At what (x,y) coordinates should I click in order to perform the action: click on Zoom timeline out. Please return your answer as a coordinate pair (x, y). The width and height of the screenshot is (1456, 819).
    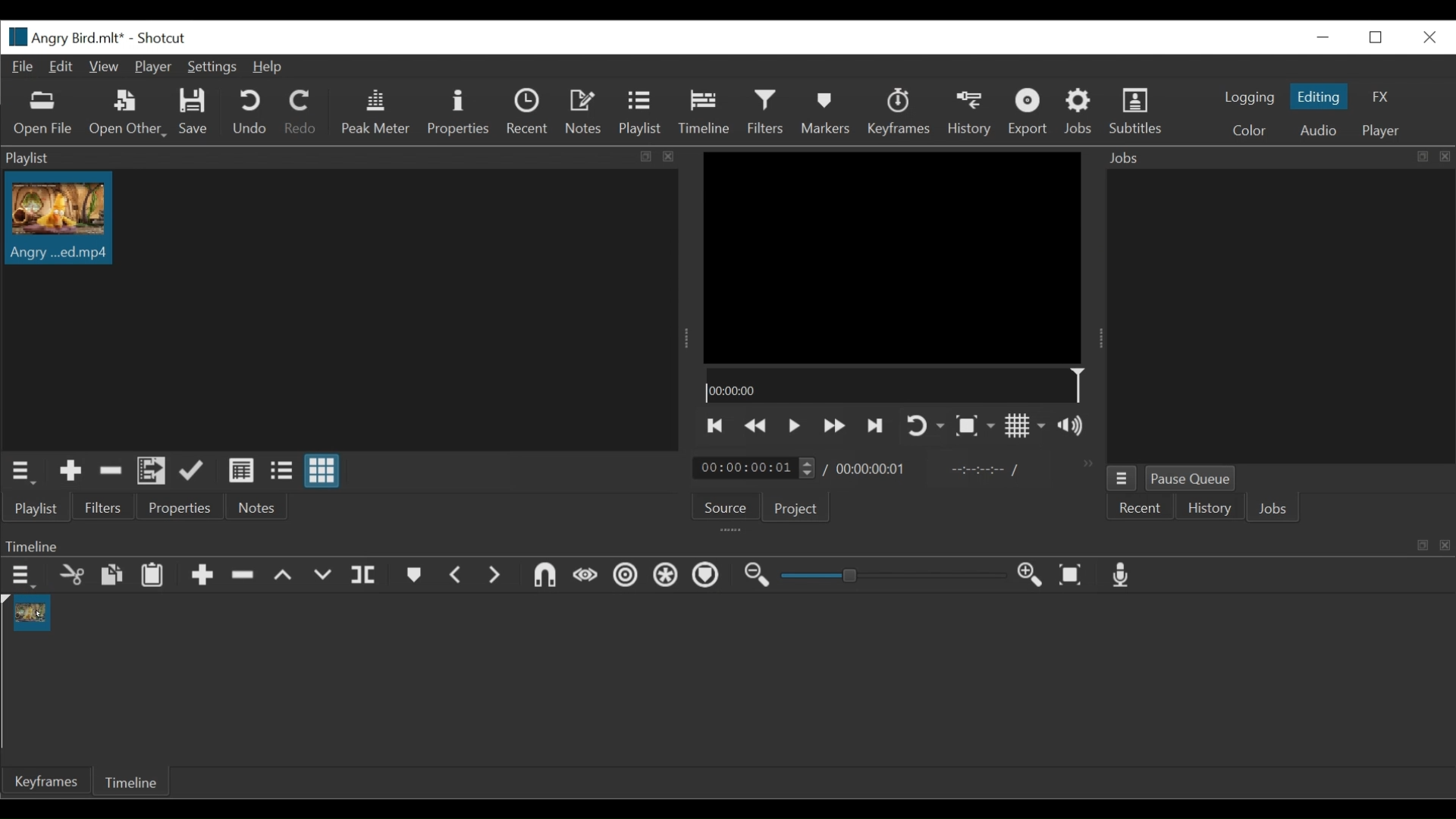
    Looking at the image, I should click on (758, 576).